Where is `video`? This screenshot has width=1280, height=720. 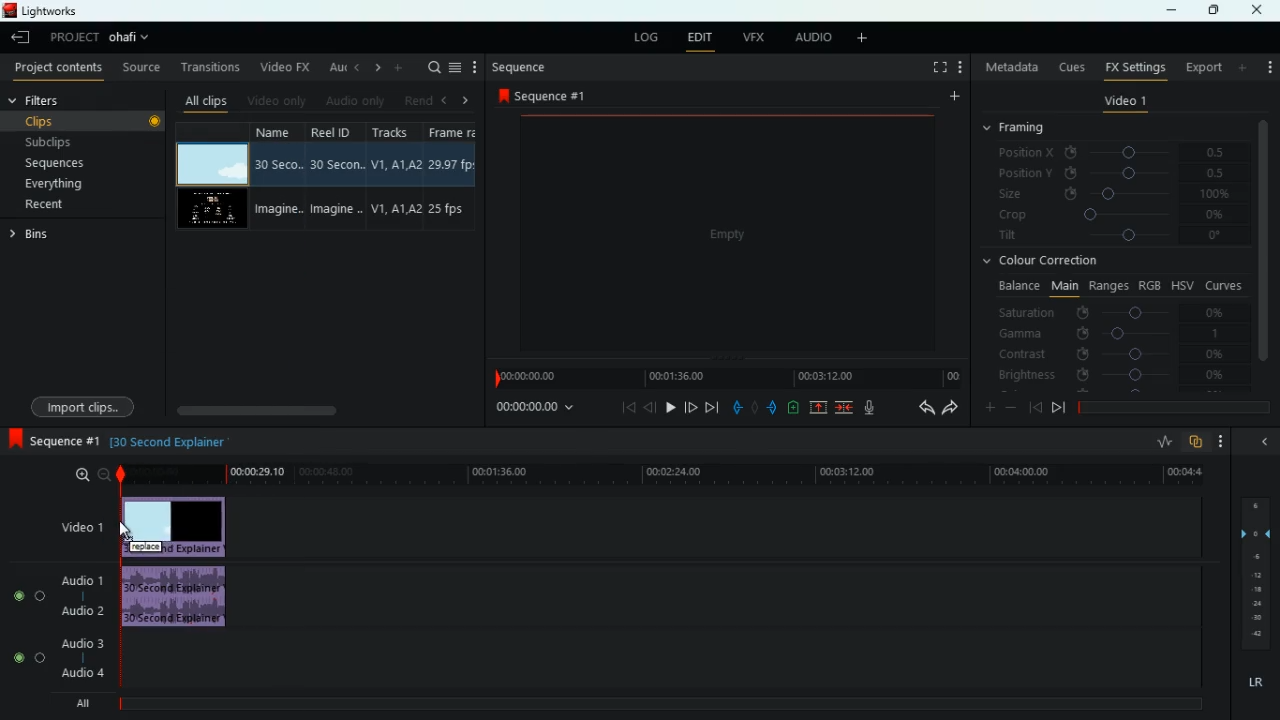
video is located at coordinates (721, 233).